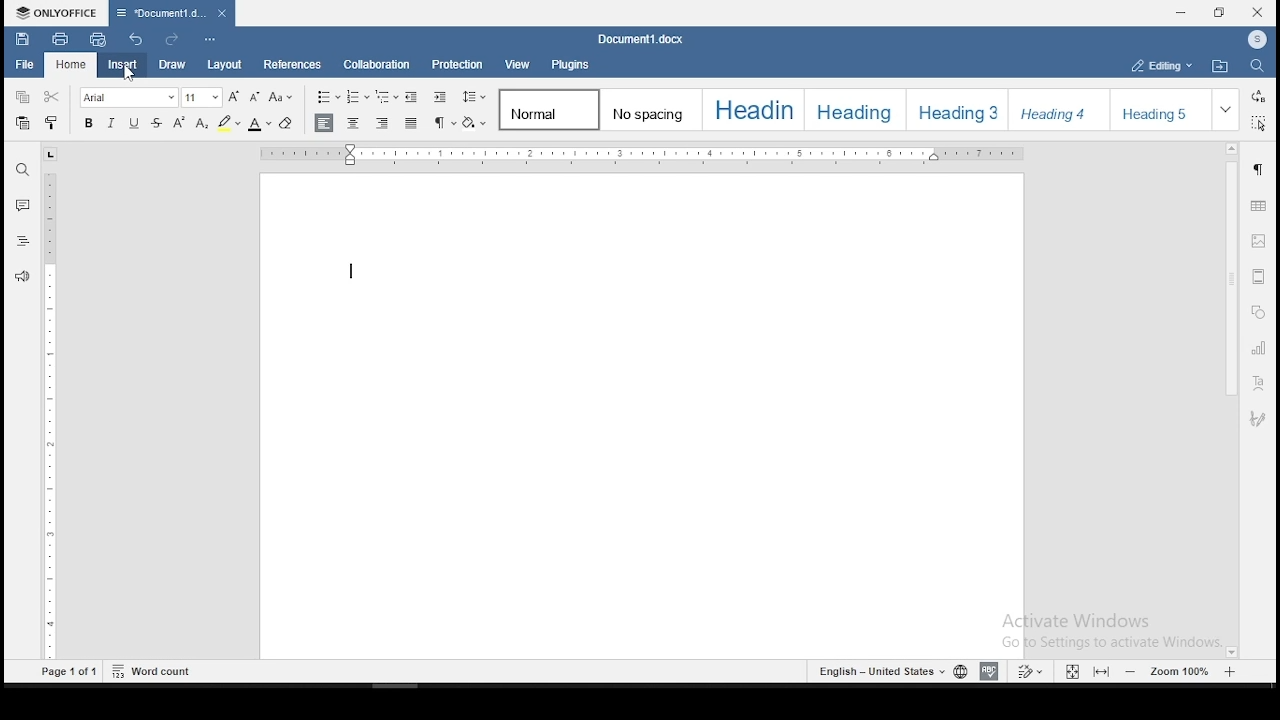 The height and width of the screenshot is (720, 1280). What do you see at coordinates (1255, 67) in the screenshot?
I see `find` at bounding box center [1255, 67].